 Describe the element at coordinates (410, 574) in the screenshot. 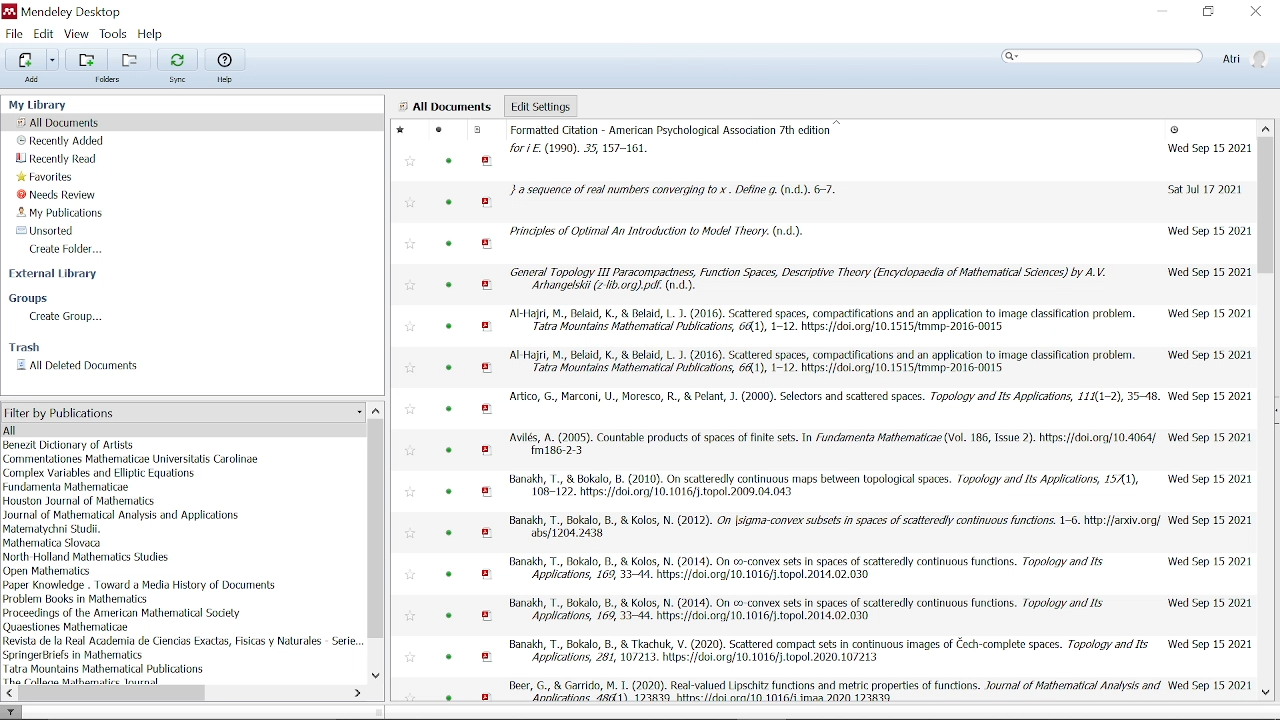

I see `favourite` at that location.